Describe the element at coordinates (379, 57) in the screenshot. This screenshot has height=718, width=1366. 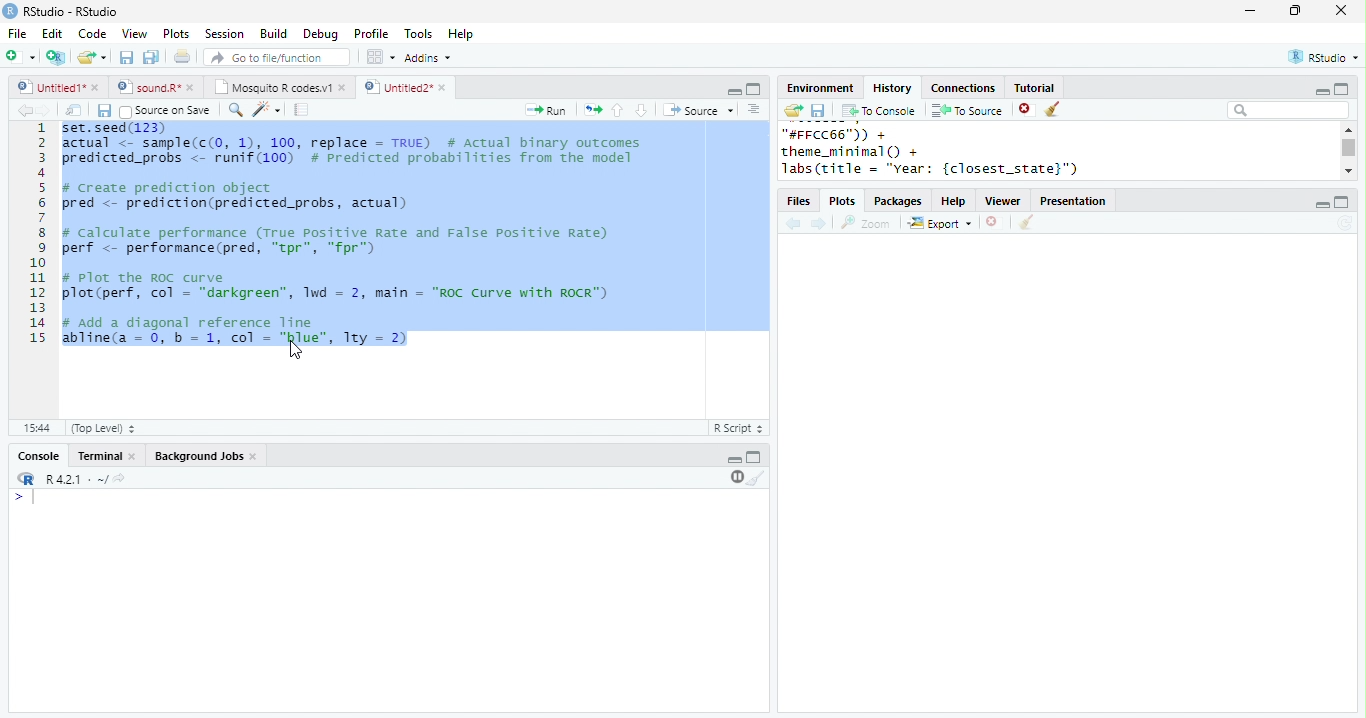
I see `options` at that location.